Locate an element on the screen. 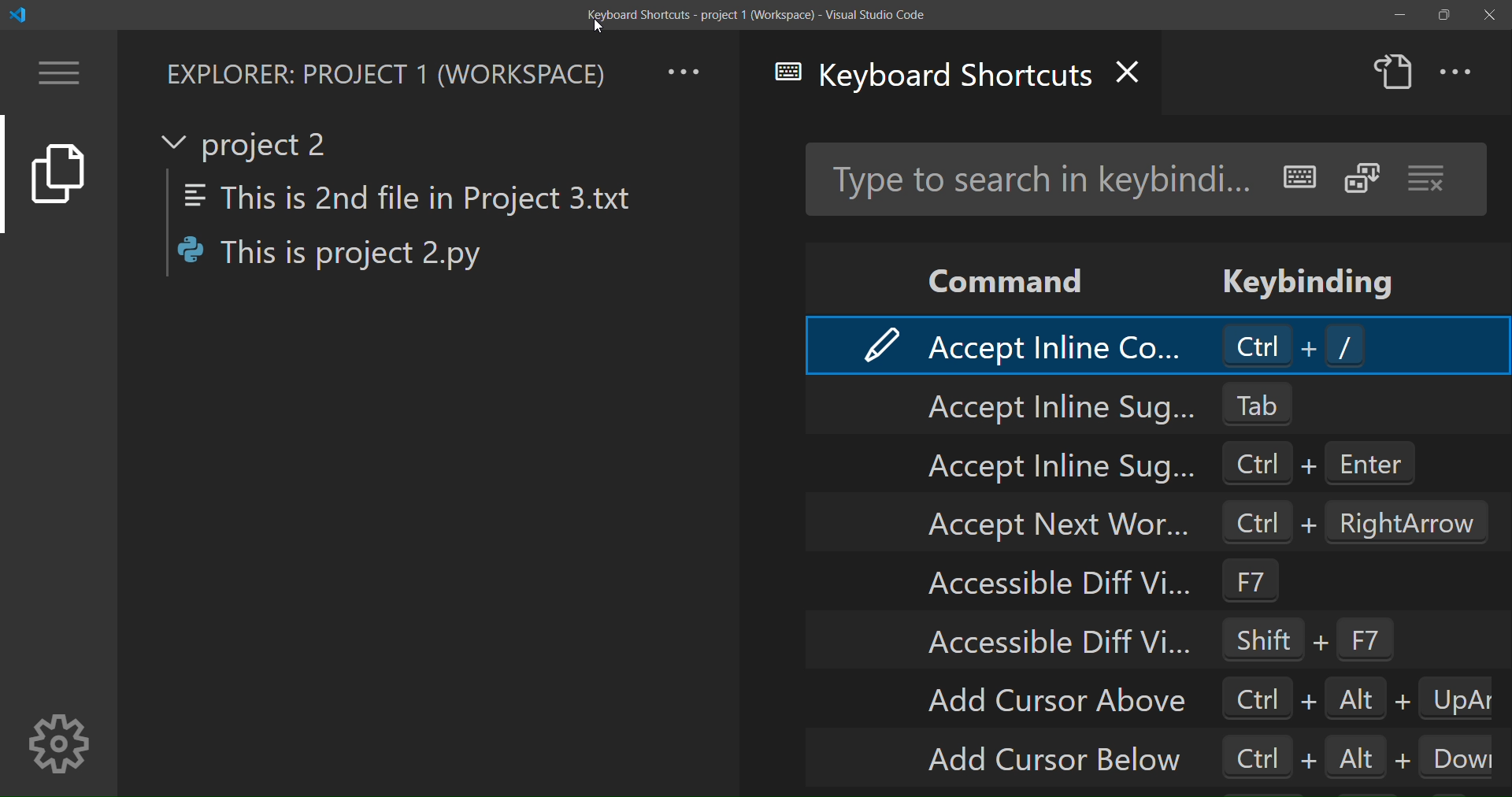 This screenshot has height=797, width=1512. ctrl + alt +down is located at coordinates (1359, 754).